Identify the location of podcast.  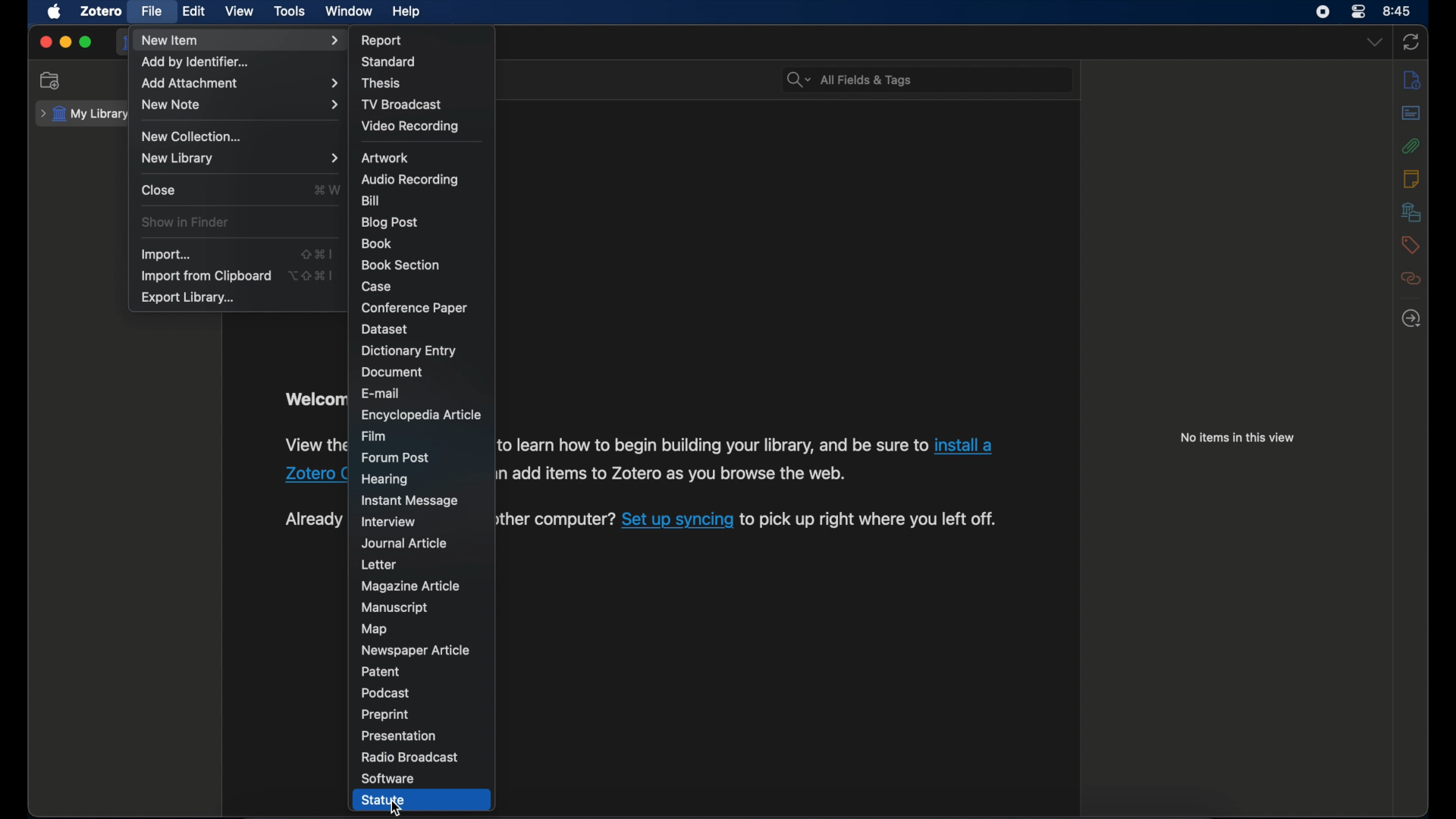
(388, 692).